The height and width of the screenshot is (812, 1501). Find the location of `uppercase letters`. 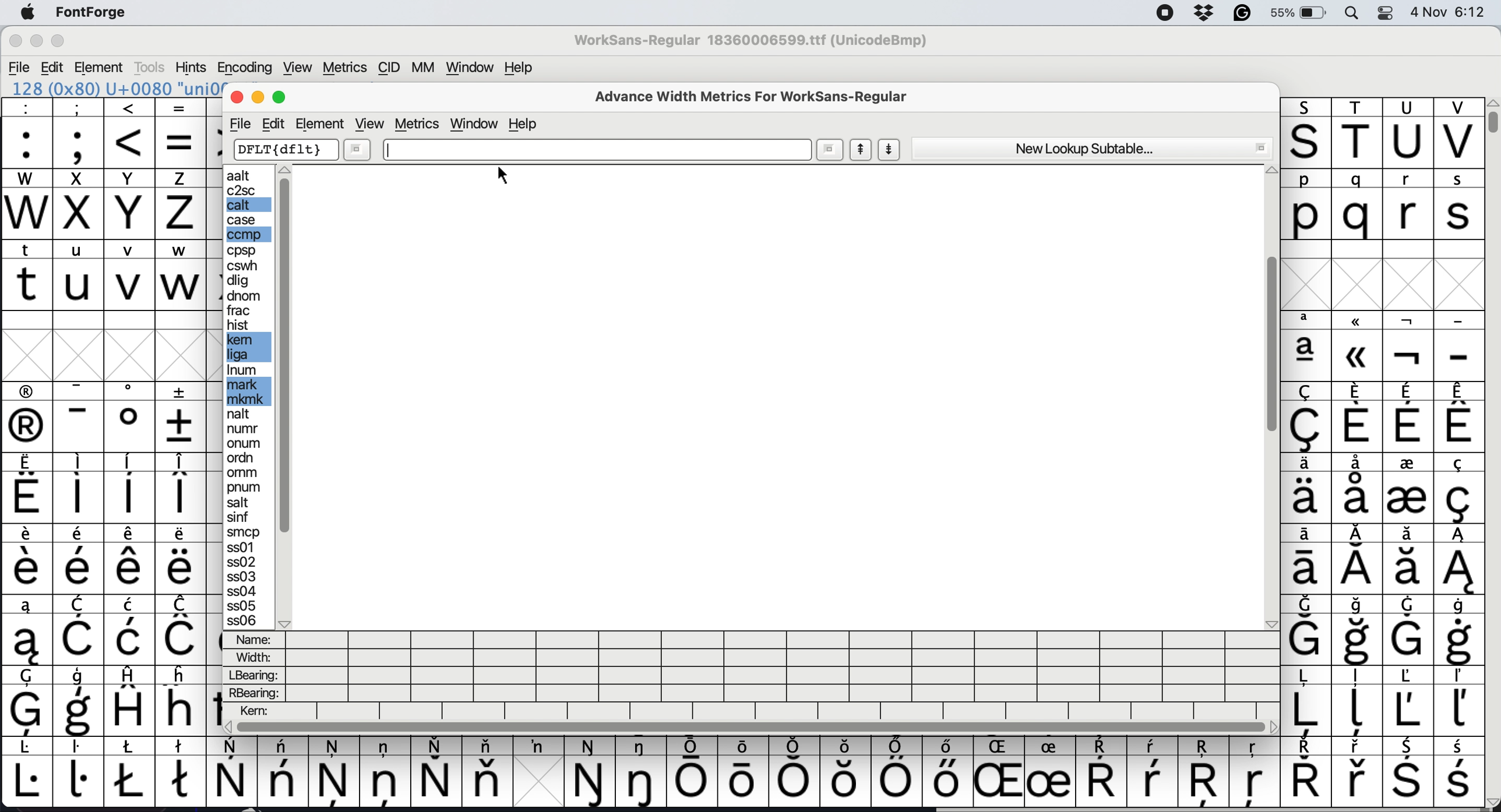

uppercase letters is located at coordinates (111, 214).